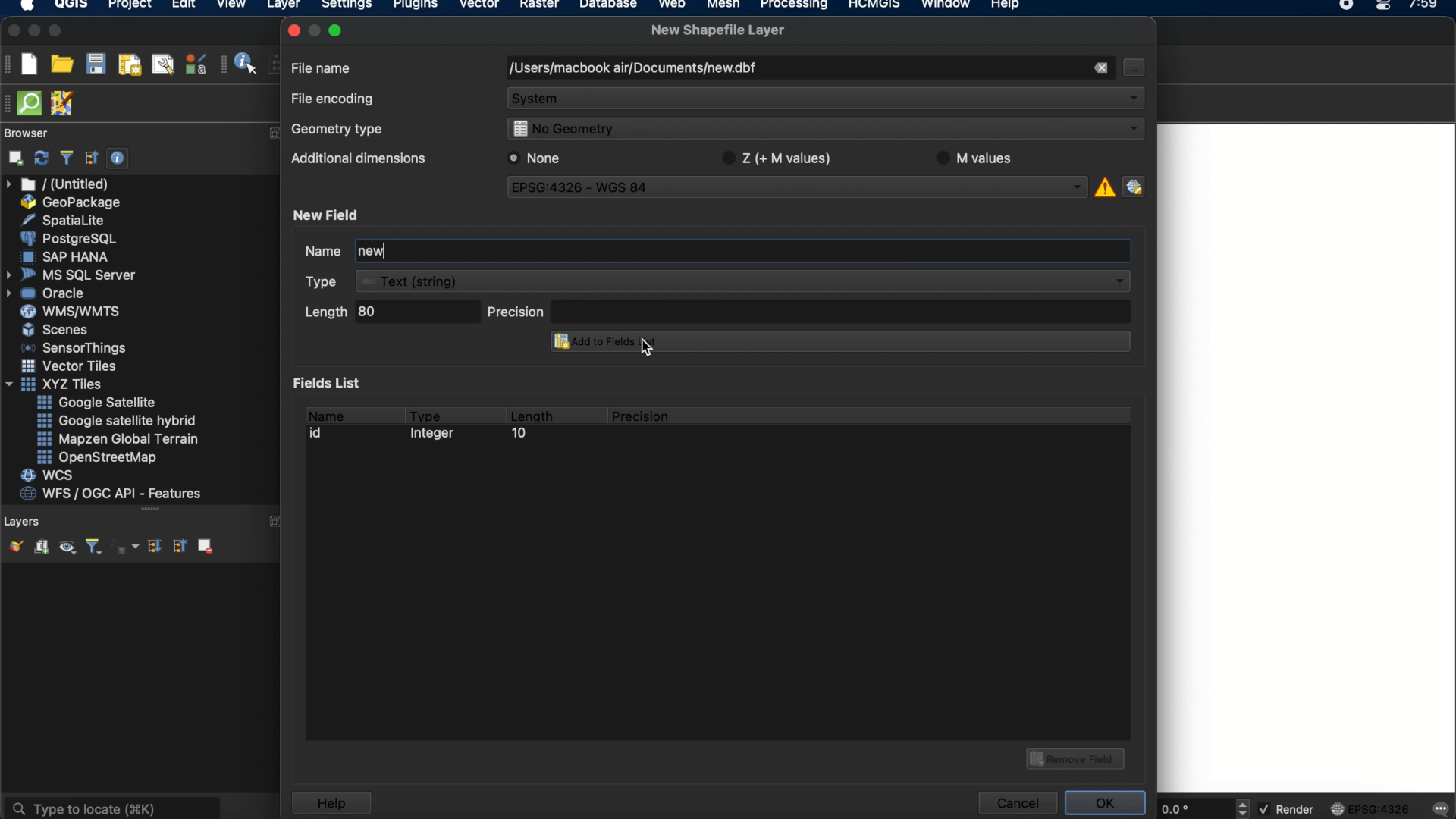 The height and width of the screenshot is (819, 1456). I want to click on render, so click(1288, 810).